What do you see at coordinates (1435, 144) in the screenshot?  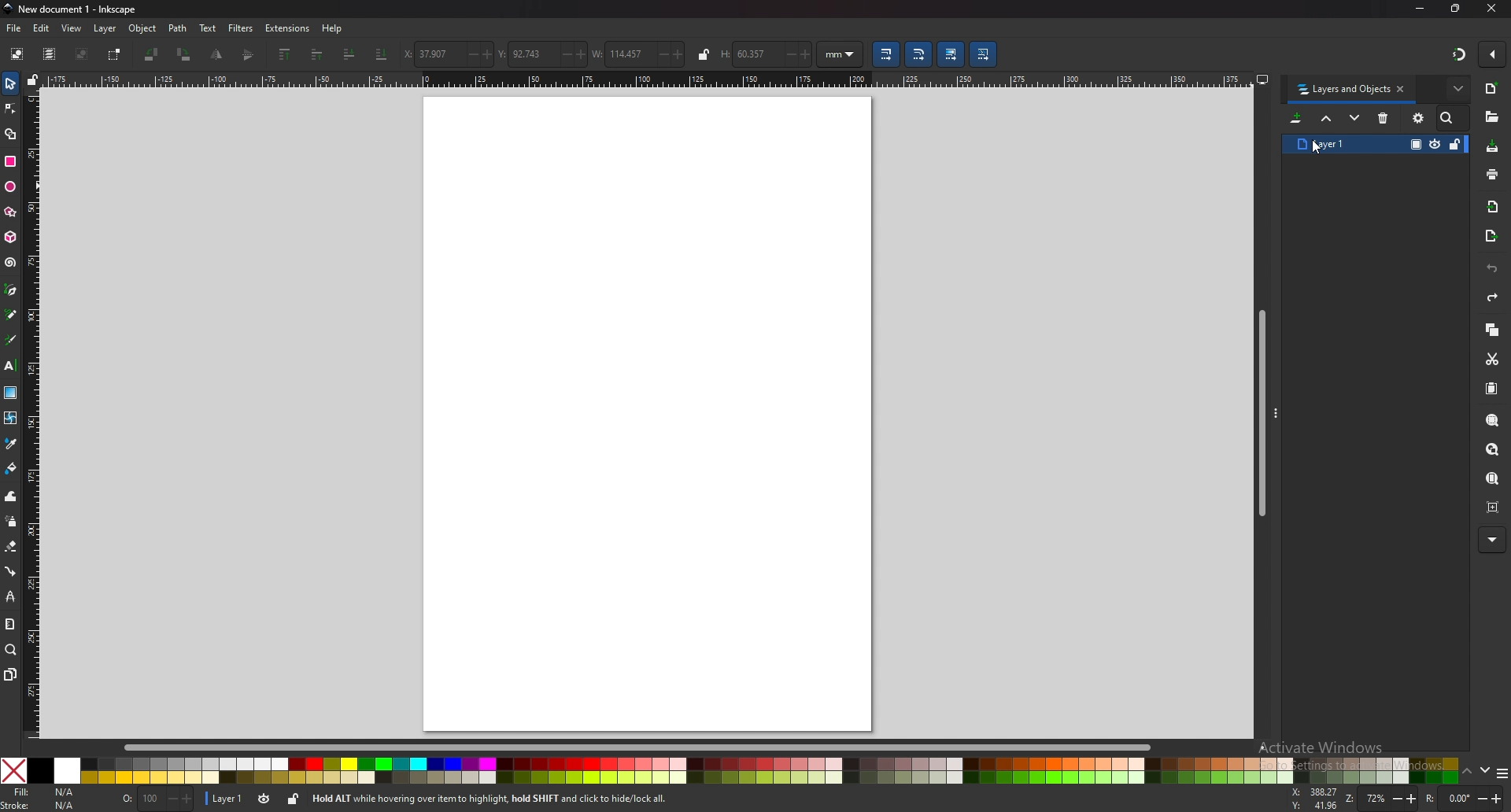 I see `toggle layer visibility` at bounding box center [1435, 144].